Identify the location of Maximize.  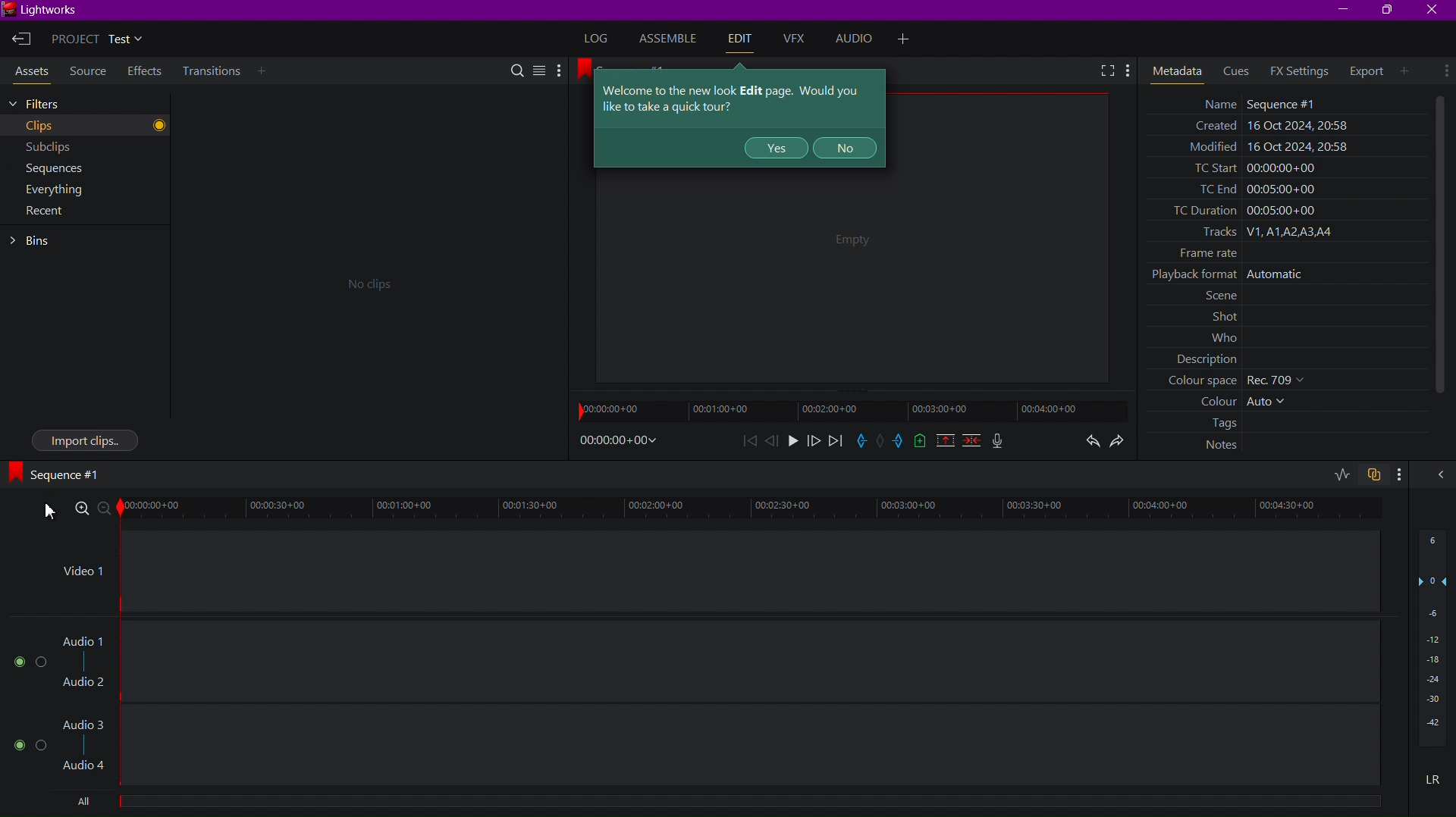
(1389, 11).